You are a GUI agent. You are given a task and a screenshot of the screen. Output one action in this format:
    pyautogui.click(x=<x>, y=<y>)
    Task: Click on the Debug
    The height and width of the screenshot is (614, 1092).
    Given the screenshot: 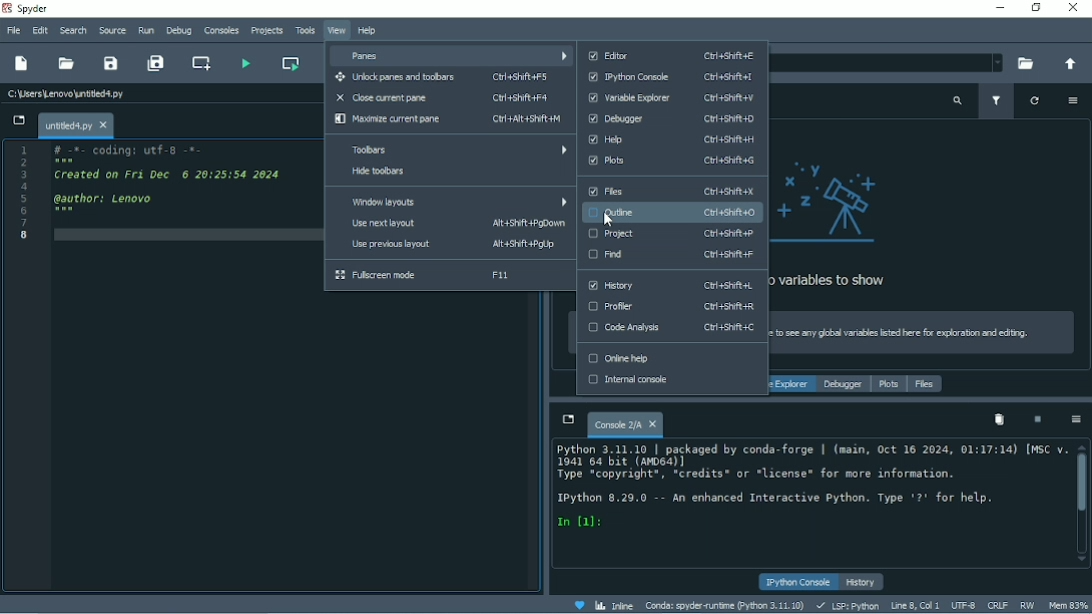 What is the action you would take?
    pyautogui.click(x=179, y=31)
    